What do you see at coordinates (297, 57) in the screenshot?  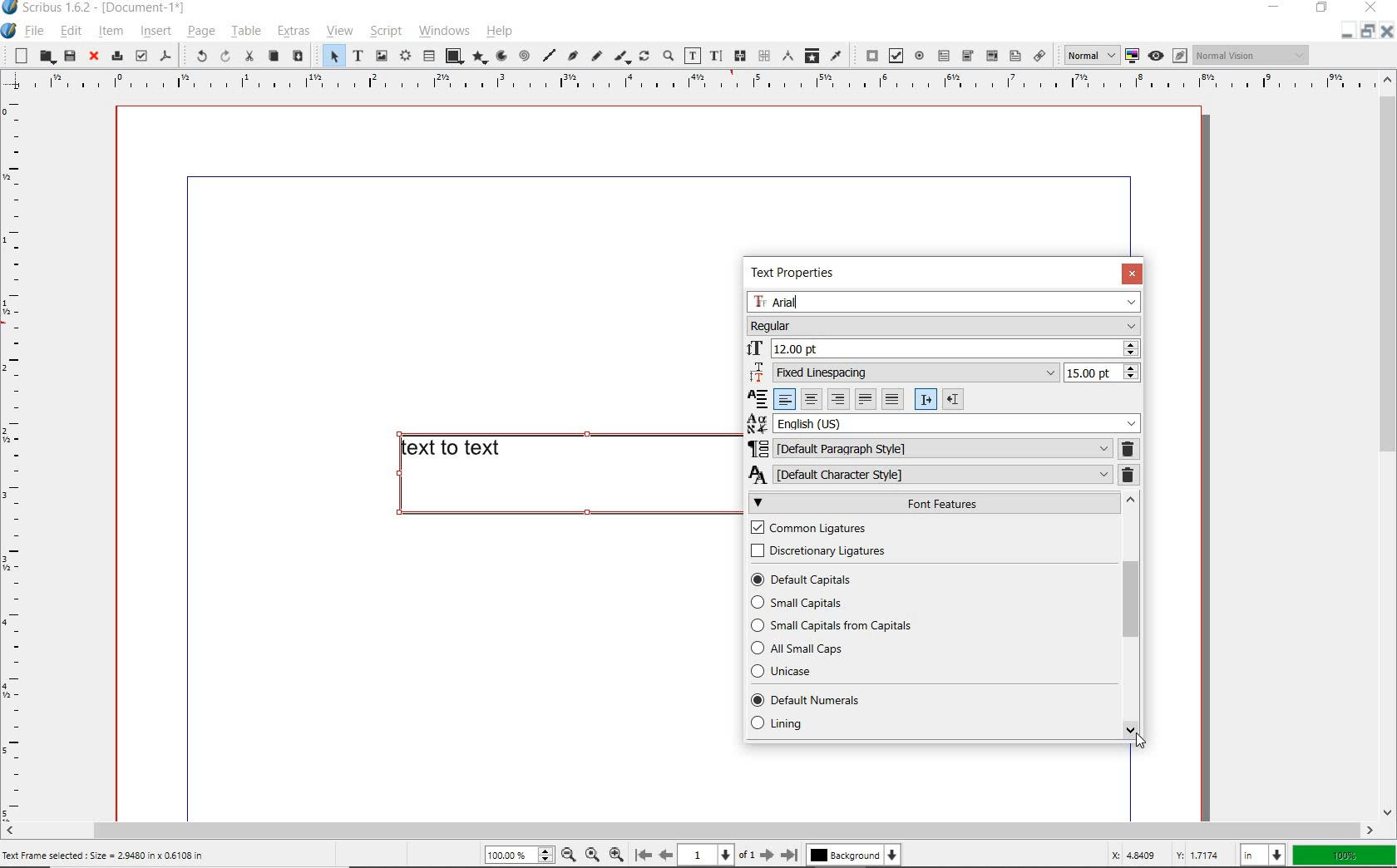 I see `paste` at bounding box center [297, 57].